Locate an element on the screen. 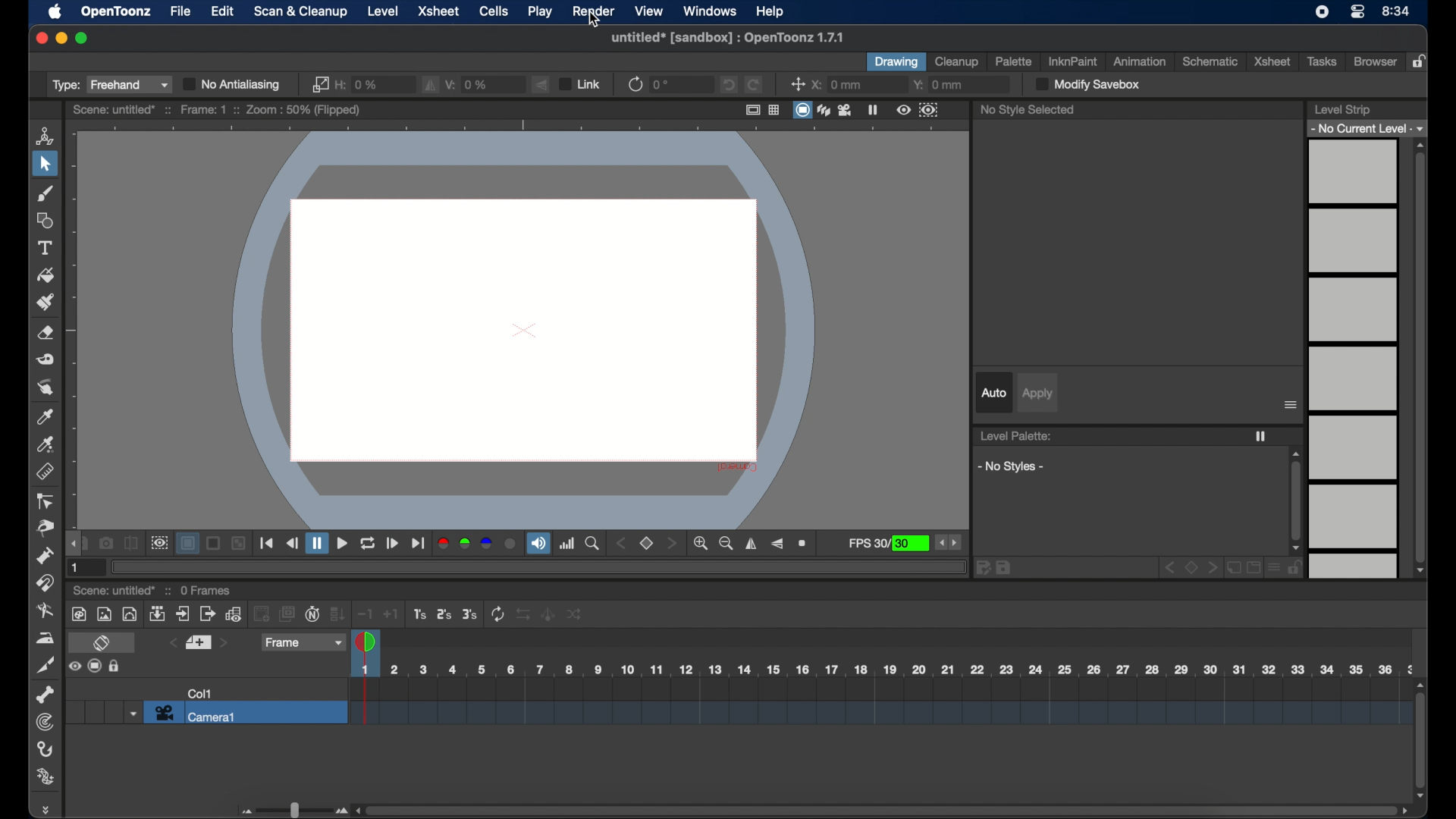  edit is located at coordinates (223, 12).